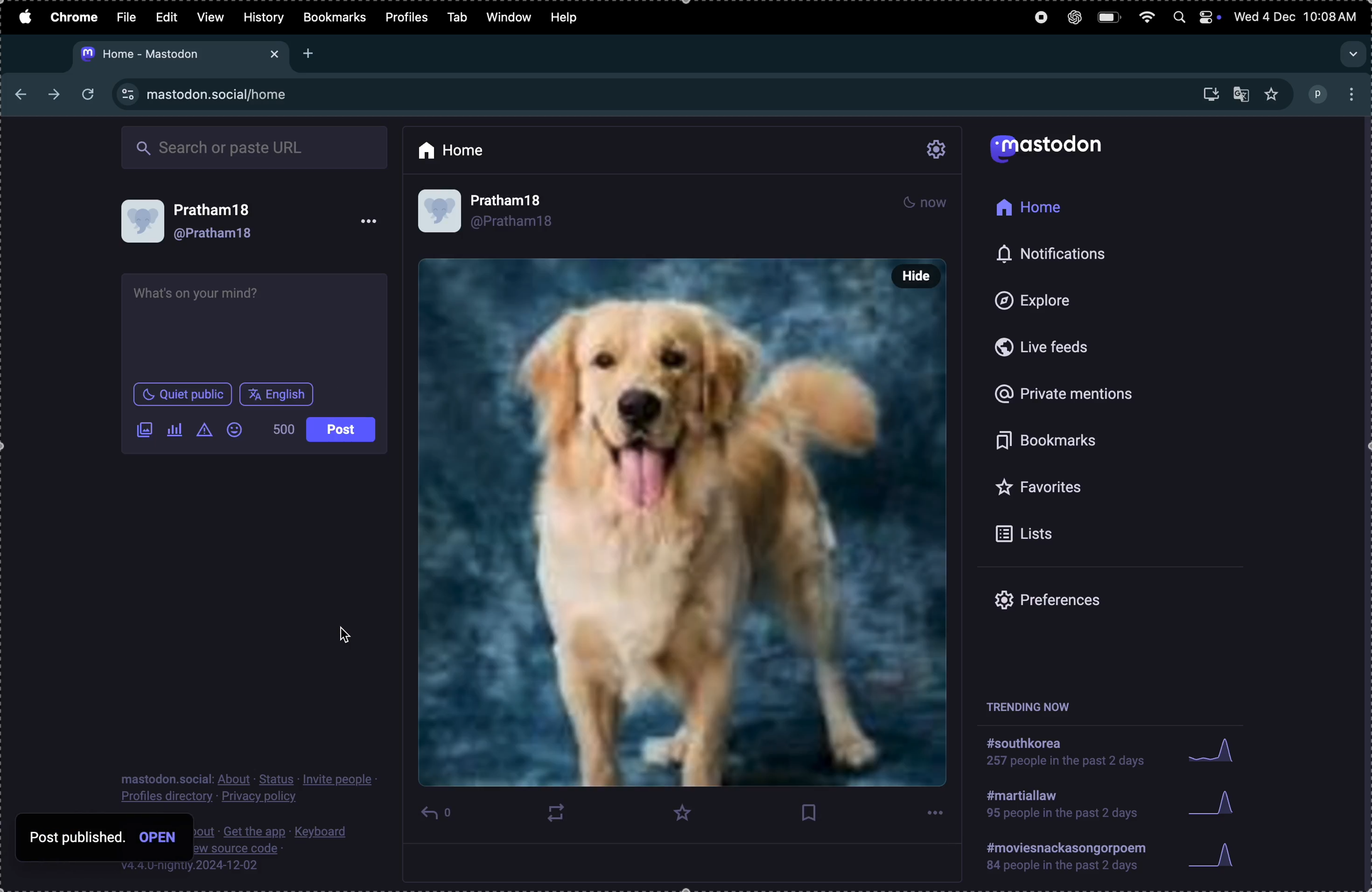 The width and height of the screenshot is (1372, 892). Describe the element at coordinates (309, 53) in the screenshot. I see `add tab` at that location.